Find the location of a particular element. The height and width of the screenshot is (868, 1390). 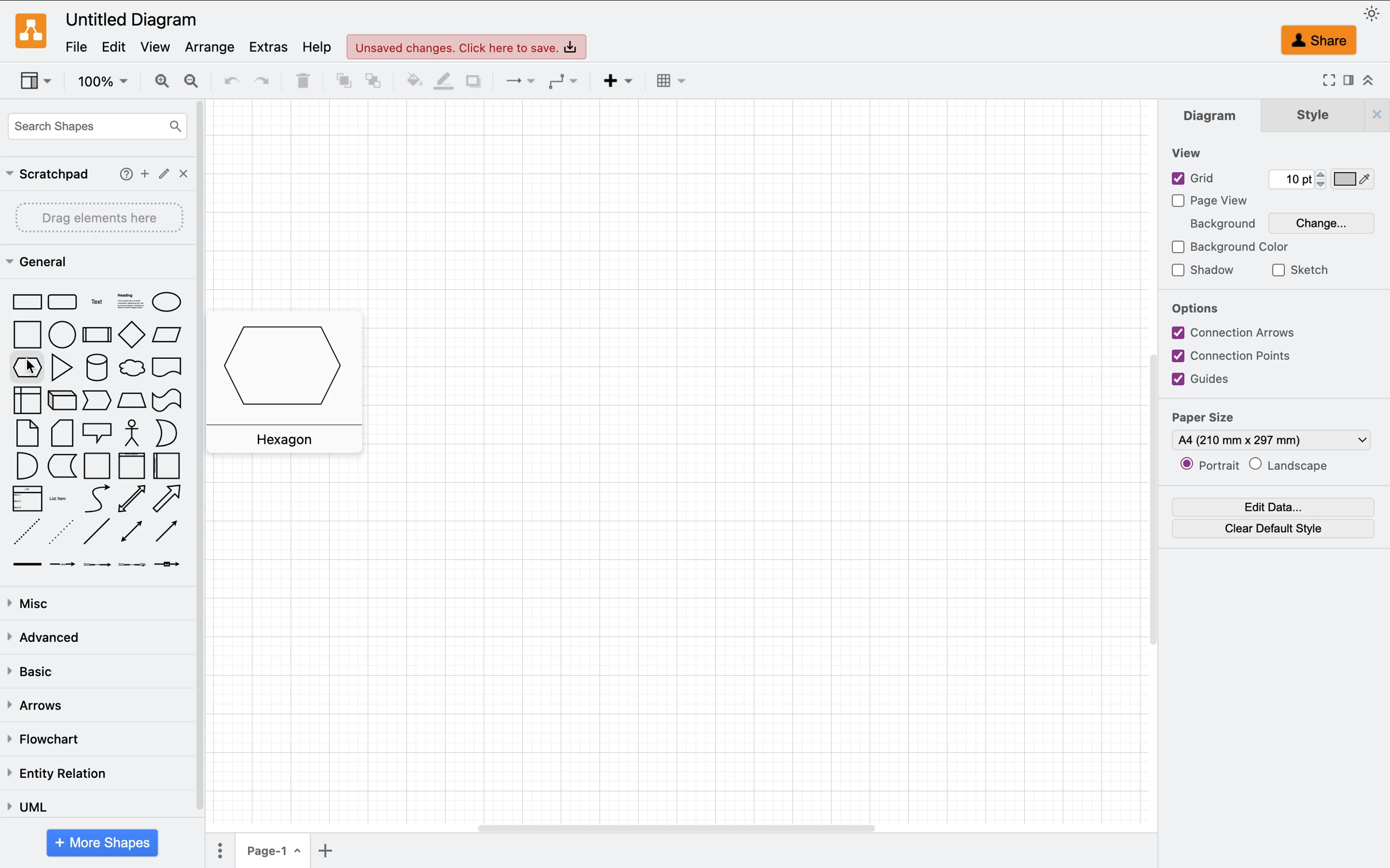

ellipse is located at coordinates (173, 300).